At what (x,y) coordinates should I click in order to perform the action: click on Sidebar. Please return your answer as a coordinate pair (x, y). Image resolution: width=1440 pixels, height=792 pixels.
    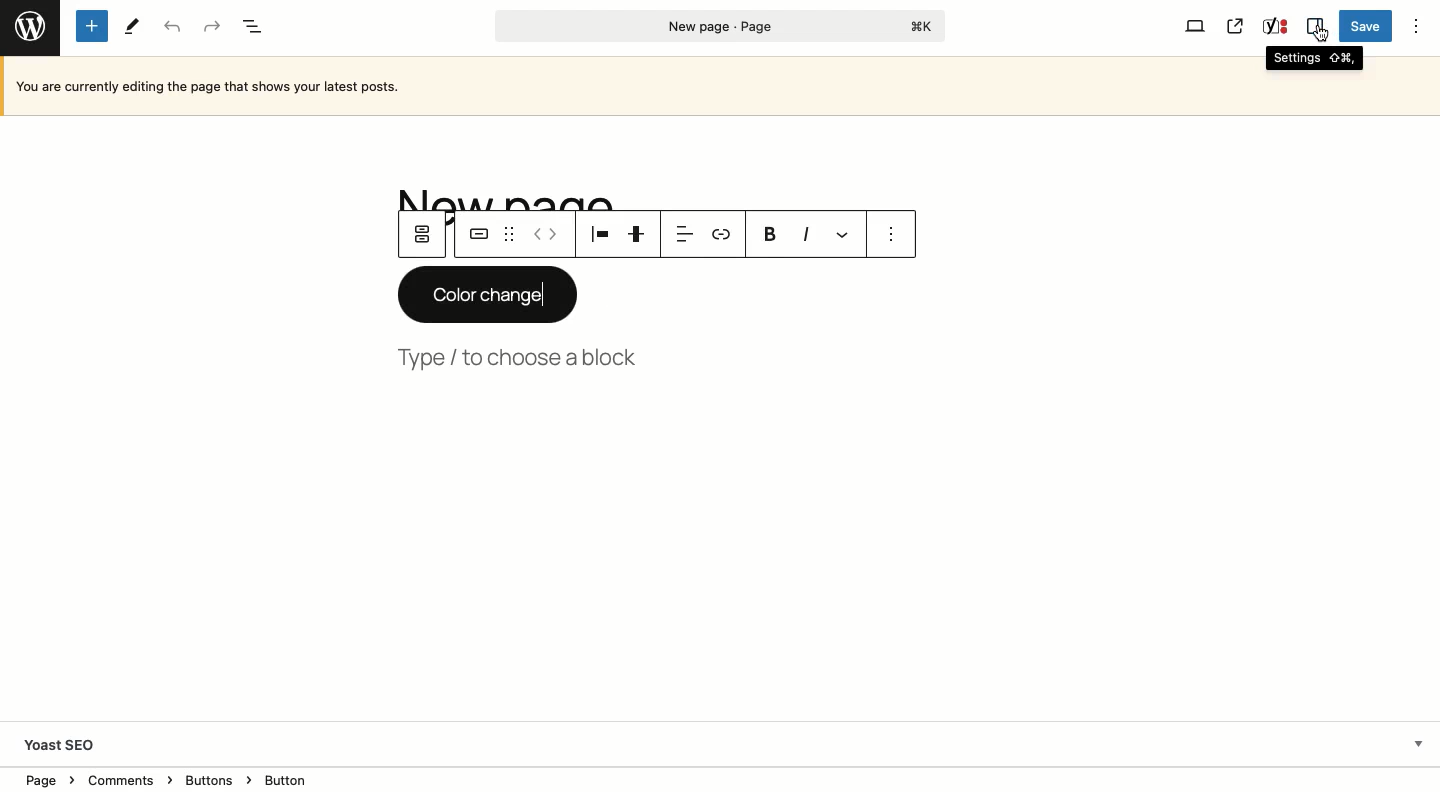
    Looking at the image, I should click on (1314, 26).